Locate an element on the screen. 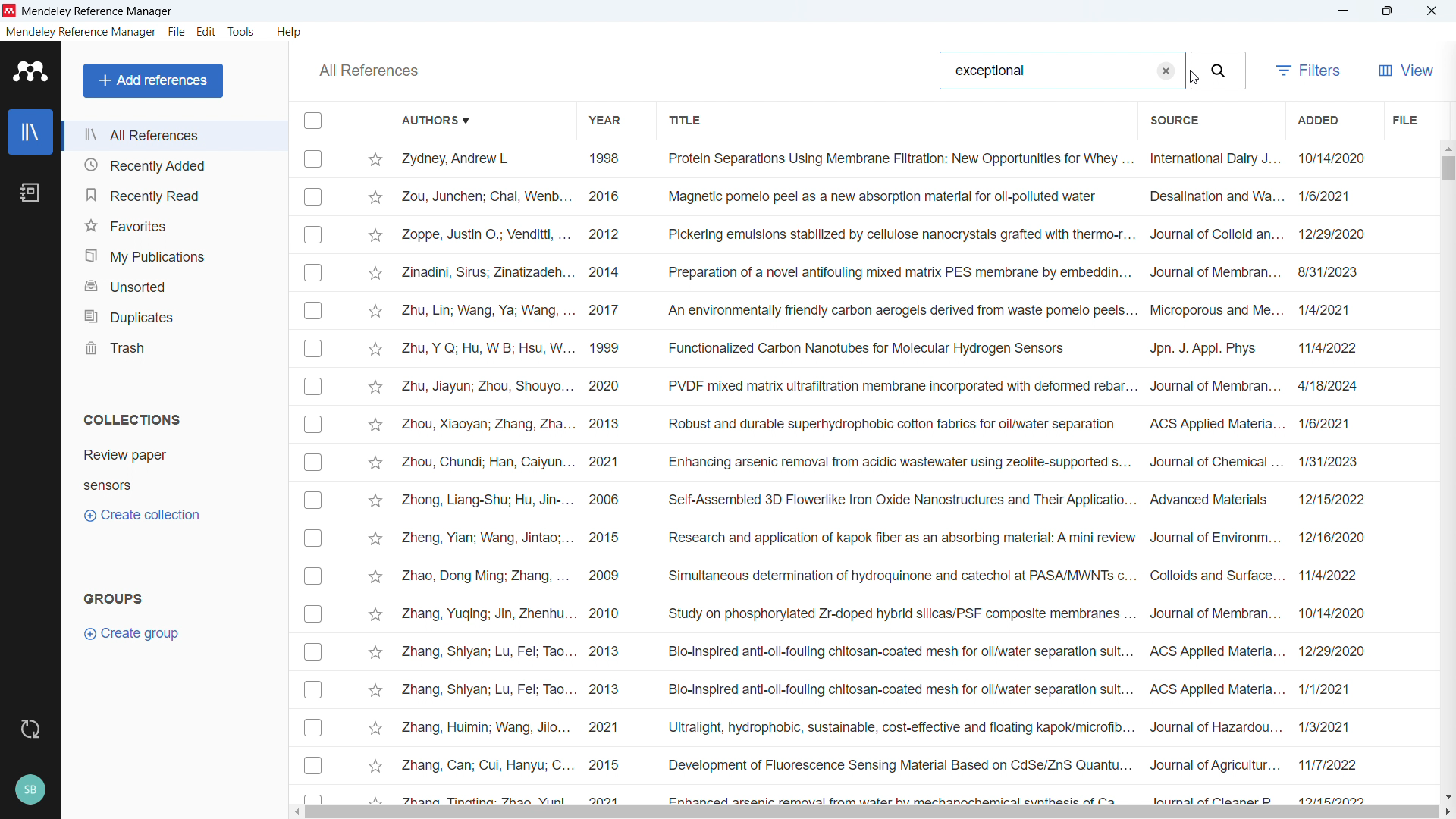 The height and width of the screenshot is (819, 1456).  is located at coordinates (369, 71).